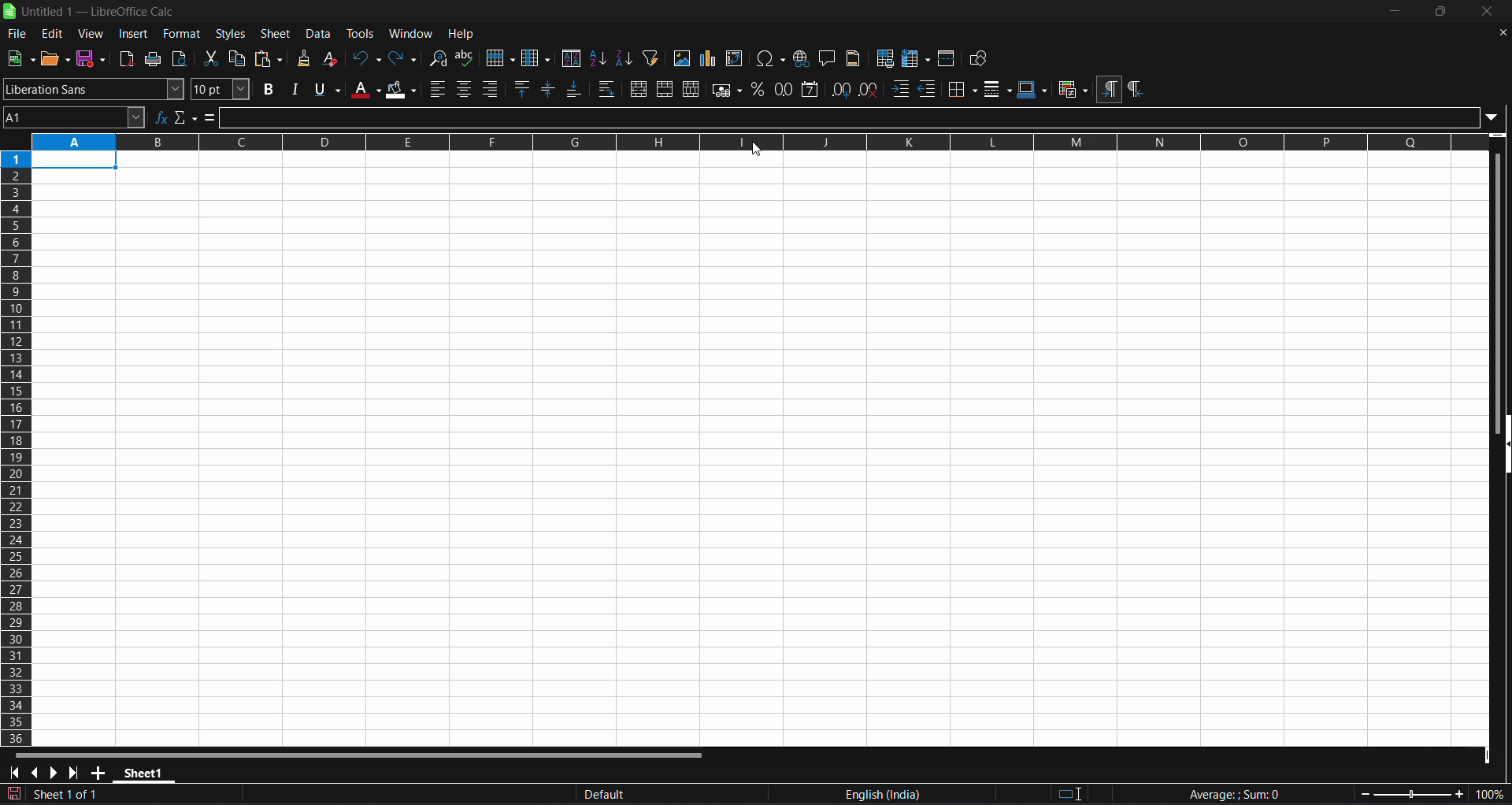  Describe the element at coordinates (535, 57) in the screenshot. I see `columns` at that location.